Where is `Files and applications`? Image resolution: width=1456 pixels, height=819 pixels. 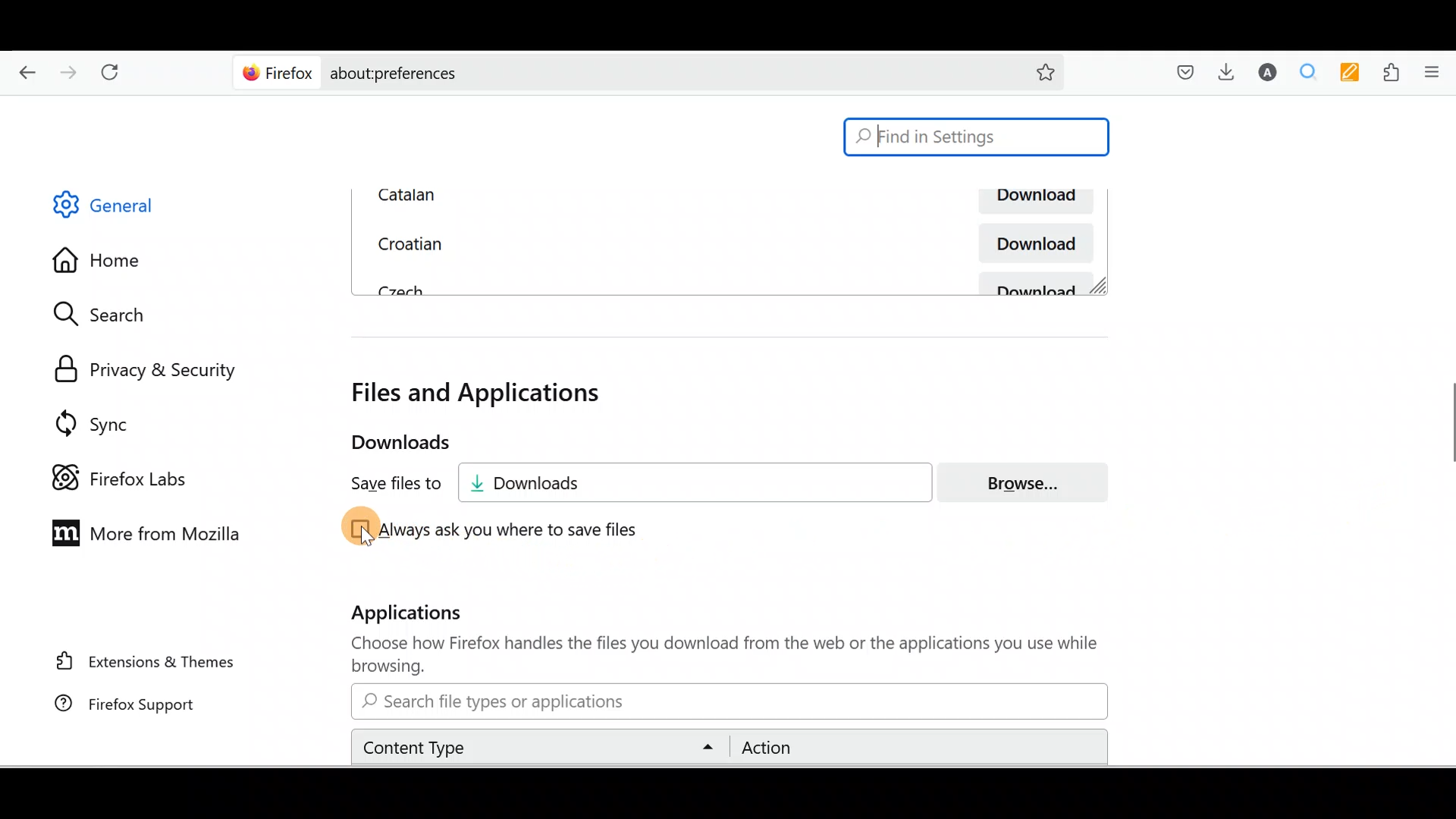 Files and applications is located at coordinates (481, 393).